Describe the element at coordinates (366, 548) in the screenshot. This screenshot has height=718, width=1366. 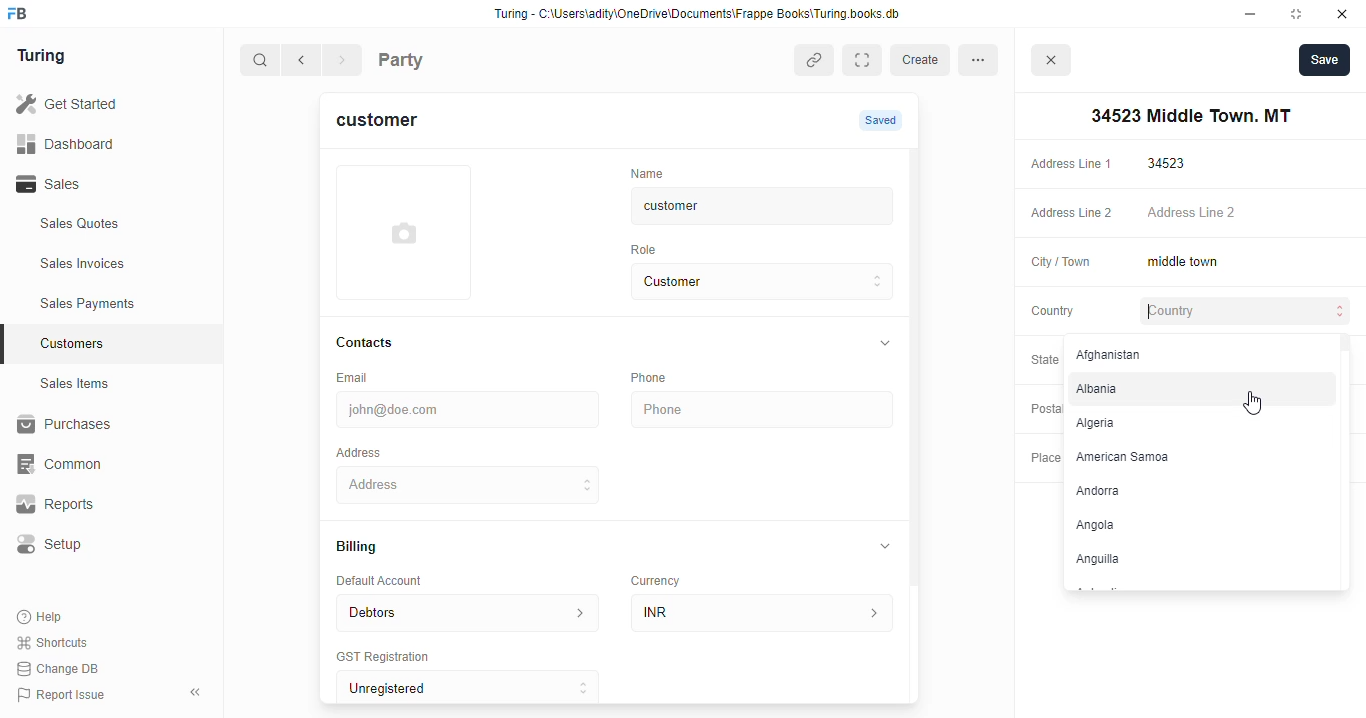
I see `Billing` at that location.